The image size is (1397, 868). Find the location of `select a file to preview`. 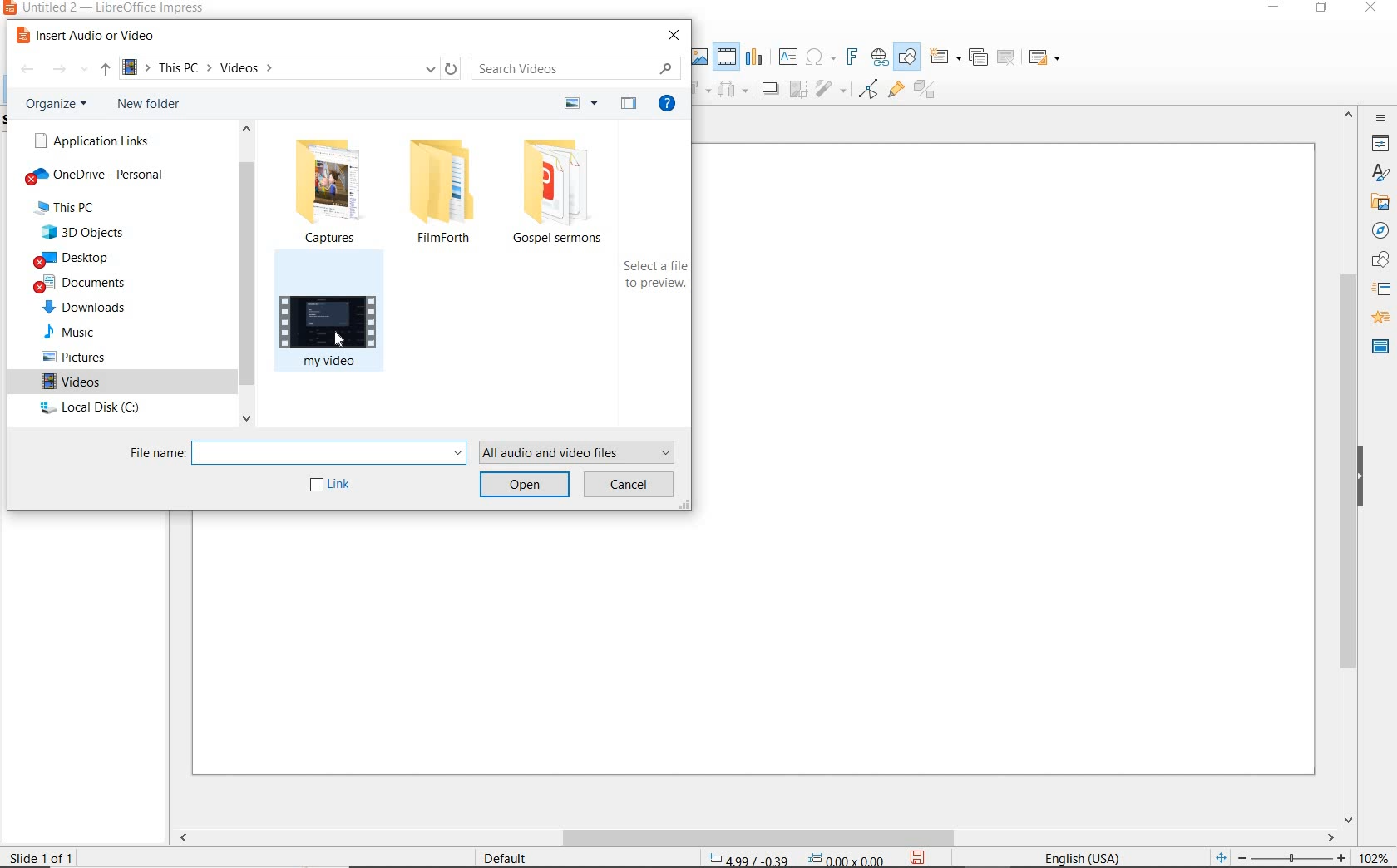

select a file to preview is located at coordinates (654, 277).